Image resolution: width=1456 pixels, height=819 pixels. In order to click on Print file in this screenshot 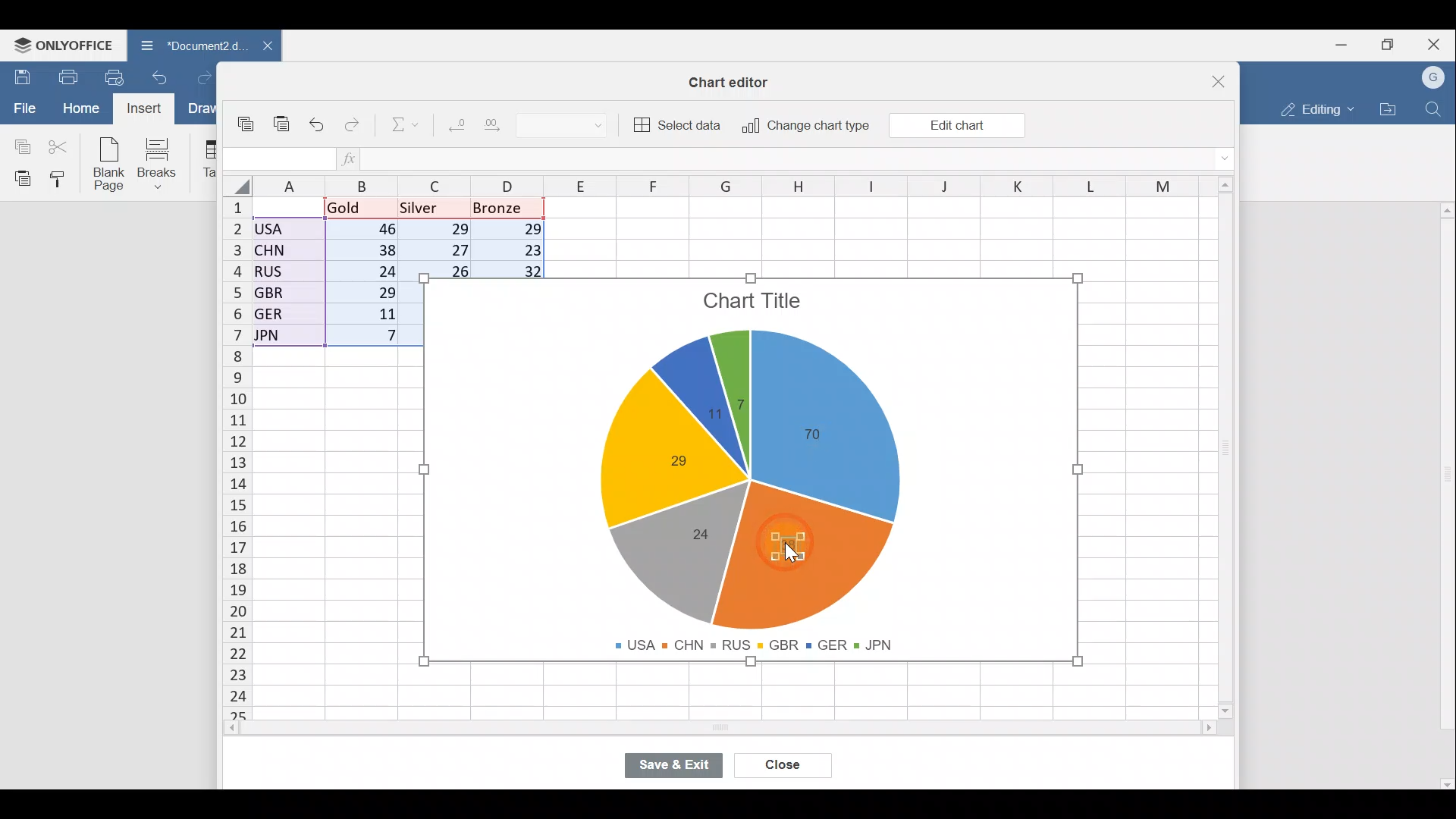, I will do `click(67, 76)`.